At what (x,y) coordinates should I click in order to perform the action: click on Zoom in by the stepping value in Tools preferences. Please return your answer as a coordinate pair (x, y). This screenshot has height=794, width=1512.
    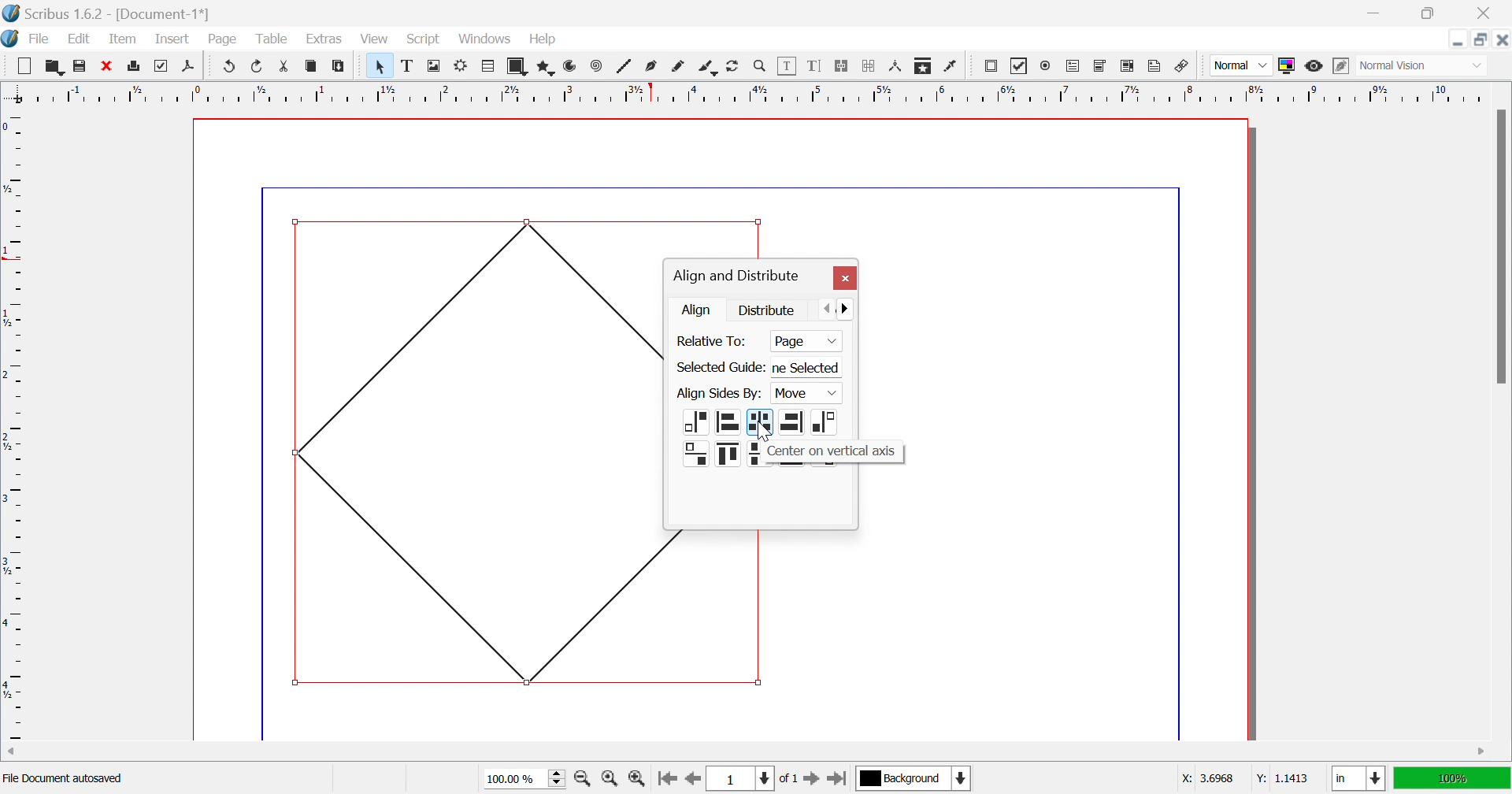
    Looking at the image, I should click on (636, 782).